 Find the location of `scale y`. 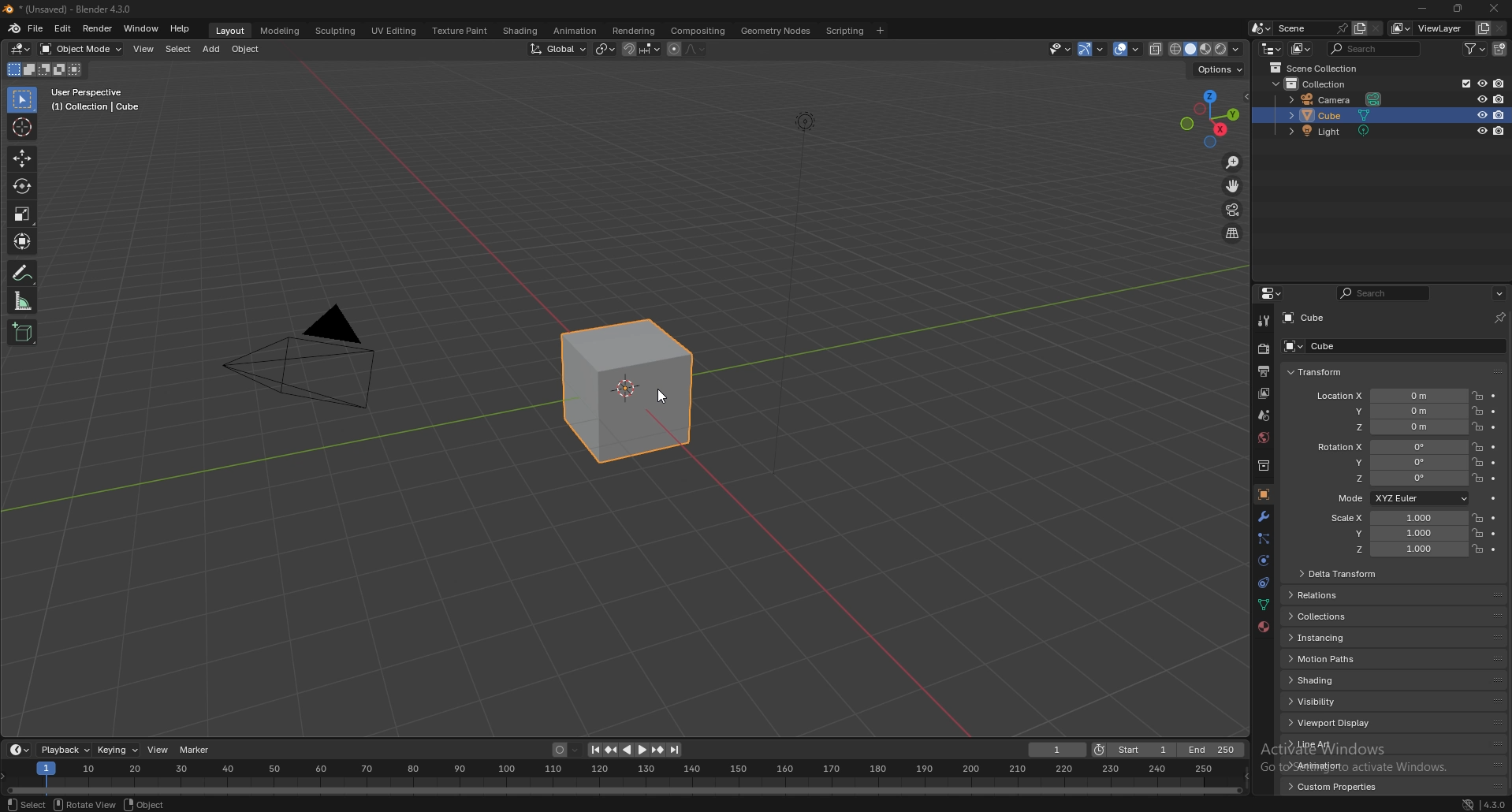

scale y is located at coordinates (1398, 535).